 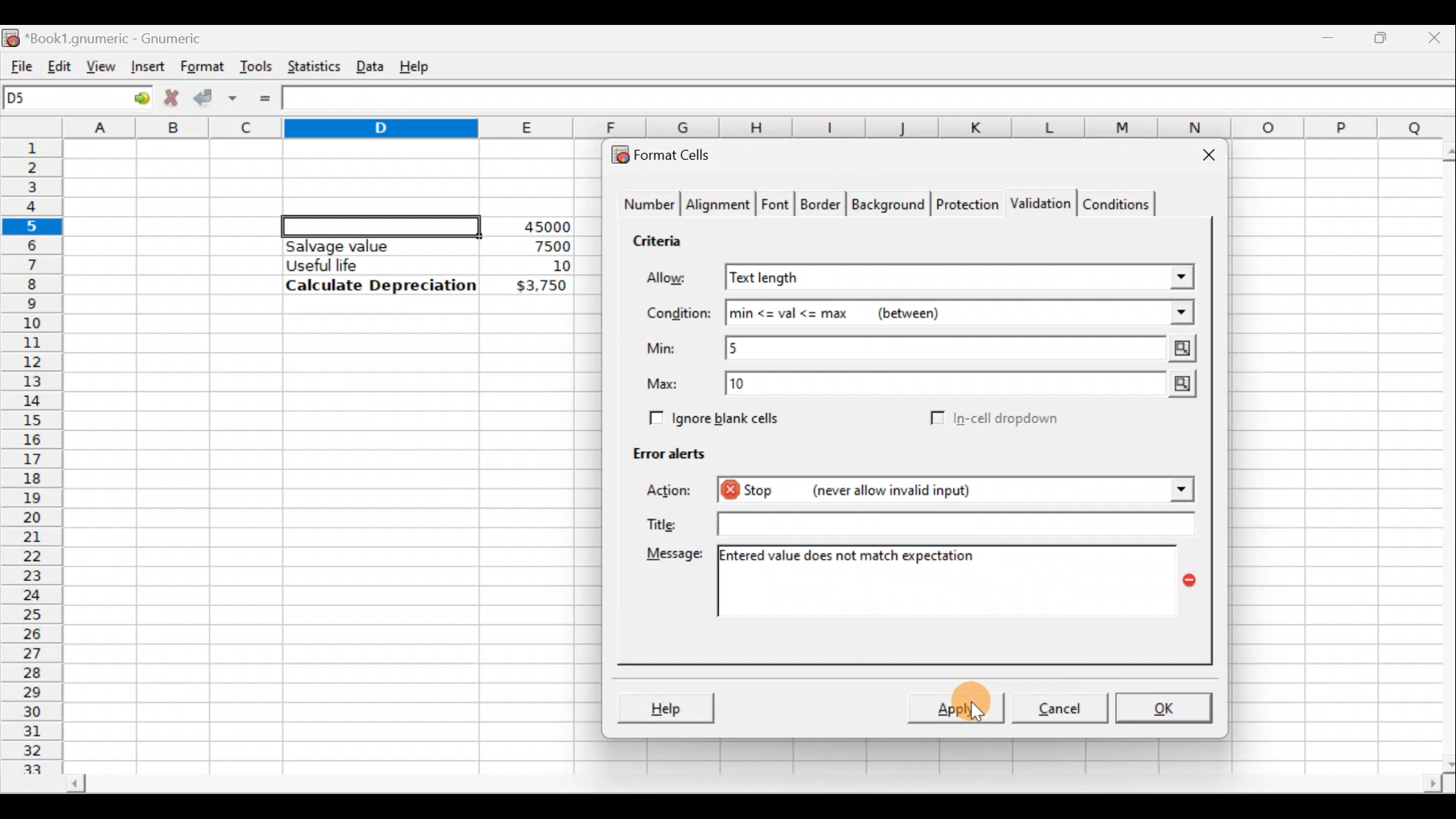 What do you see at coordinates (541, 227) in the screenshot?
I see `45000` at bounding box center [541, 227].